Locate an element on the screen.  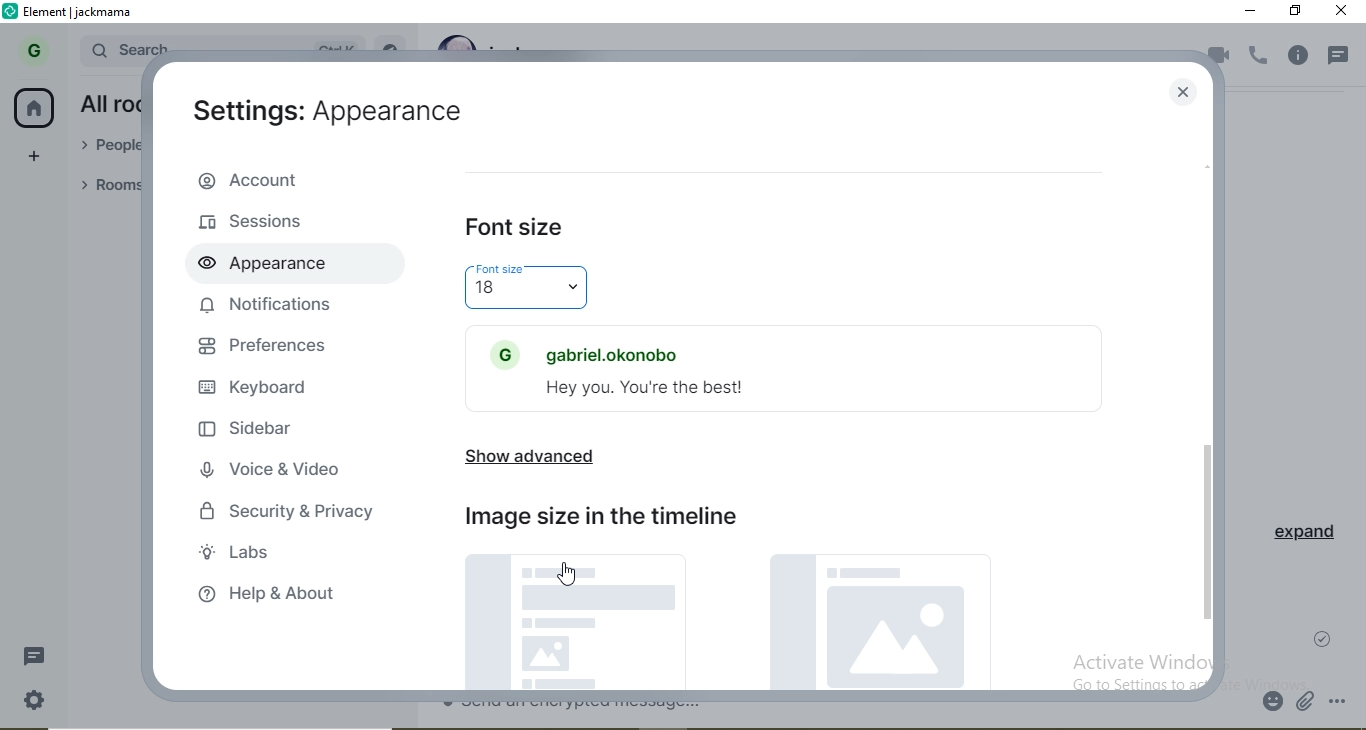
add is located at coordinates (36, 157).